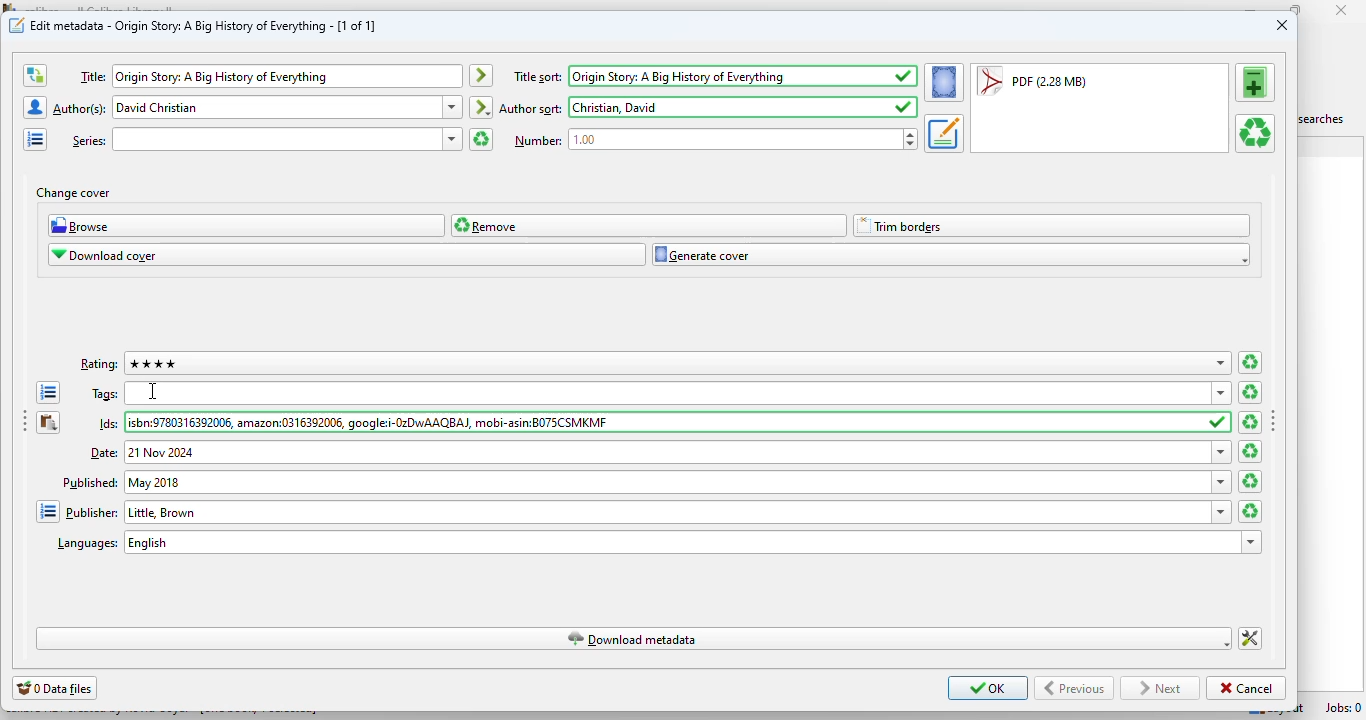 This screenshot has height=720, width=1366. I want to click on dropdown, so click(1221, 363).